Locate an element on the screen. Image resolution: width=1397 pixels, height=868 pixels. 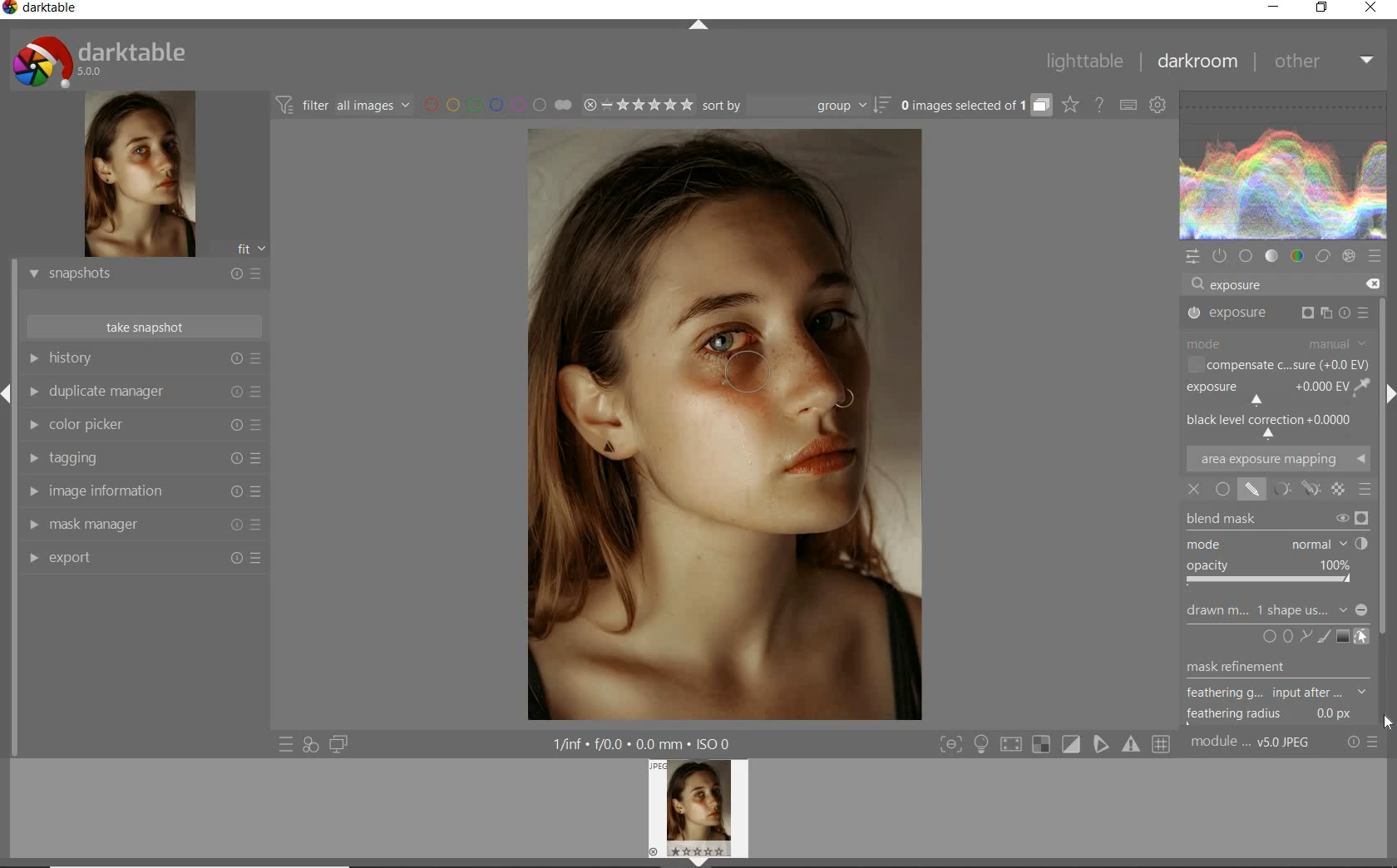
history is located at coordinates (142, 360).